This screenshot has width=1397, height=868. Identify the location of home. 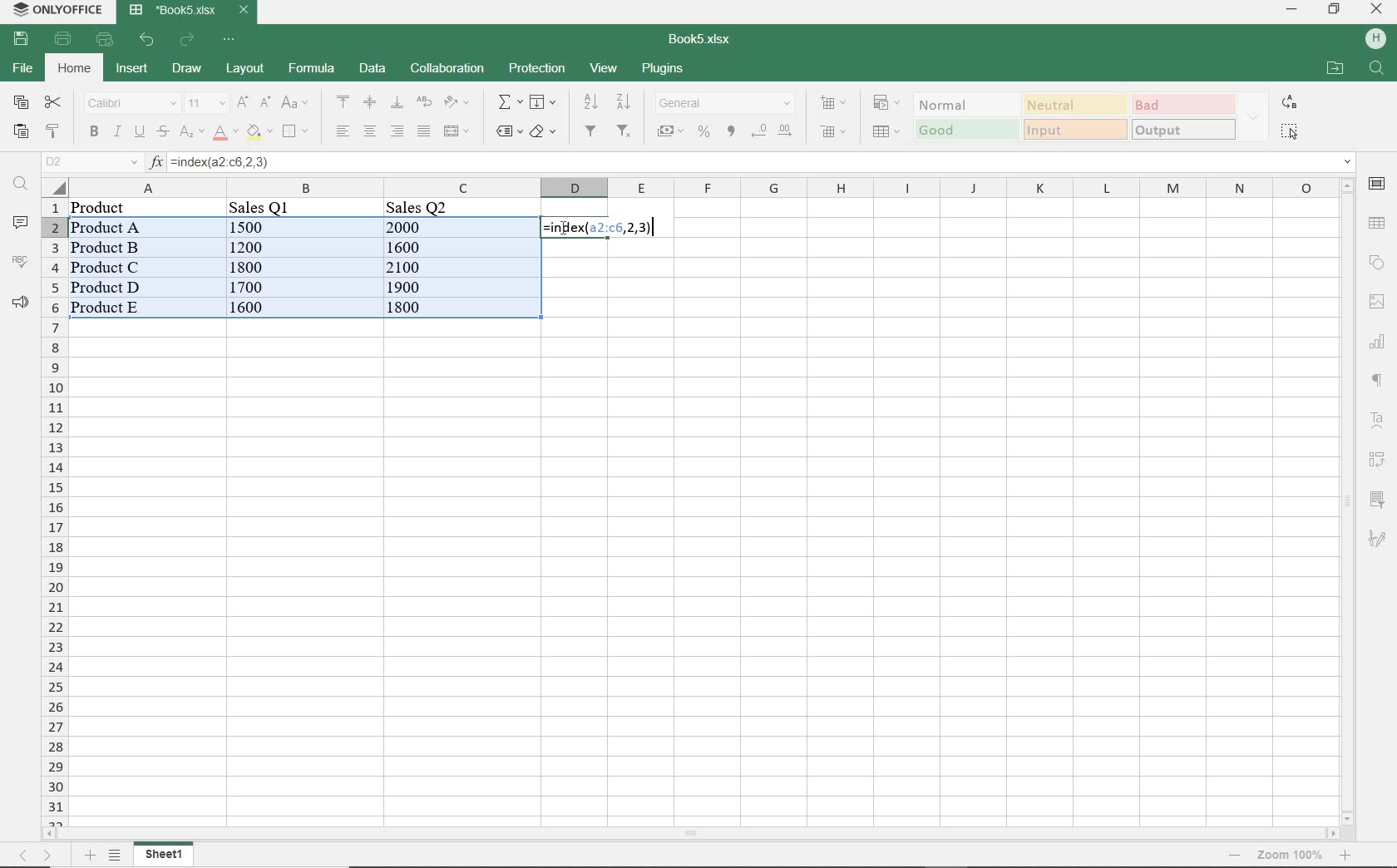
(76, 70).